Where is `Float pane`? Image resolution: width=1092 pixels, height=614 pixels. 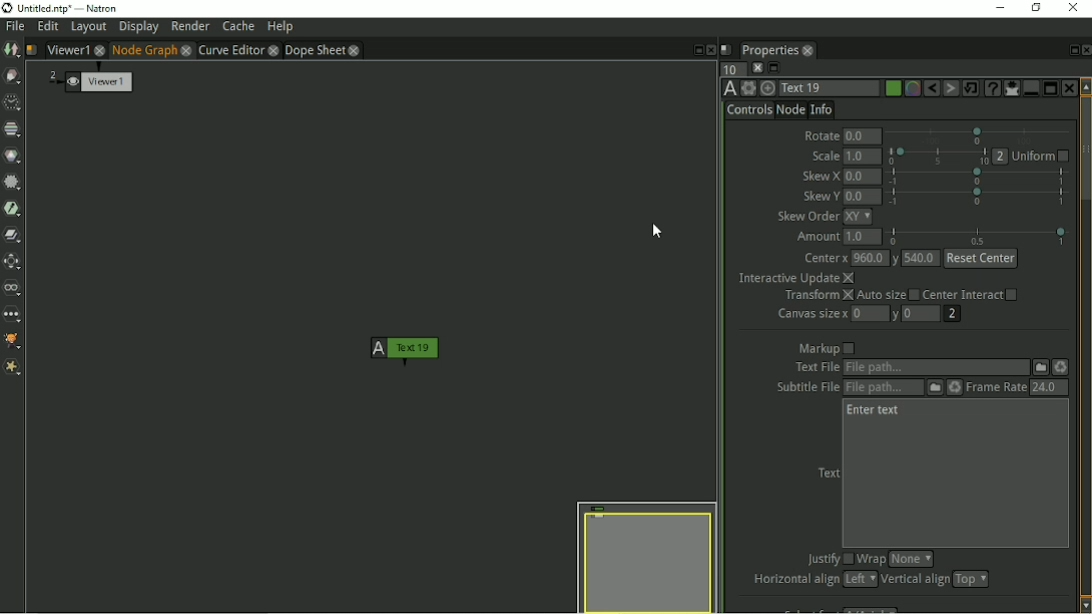
Float pane is located at coordinates (697, 50).